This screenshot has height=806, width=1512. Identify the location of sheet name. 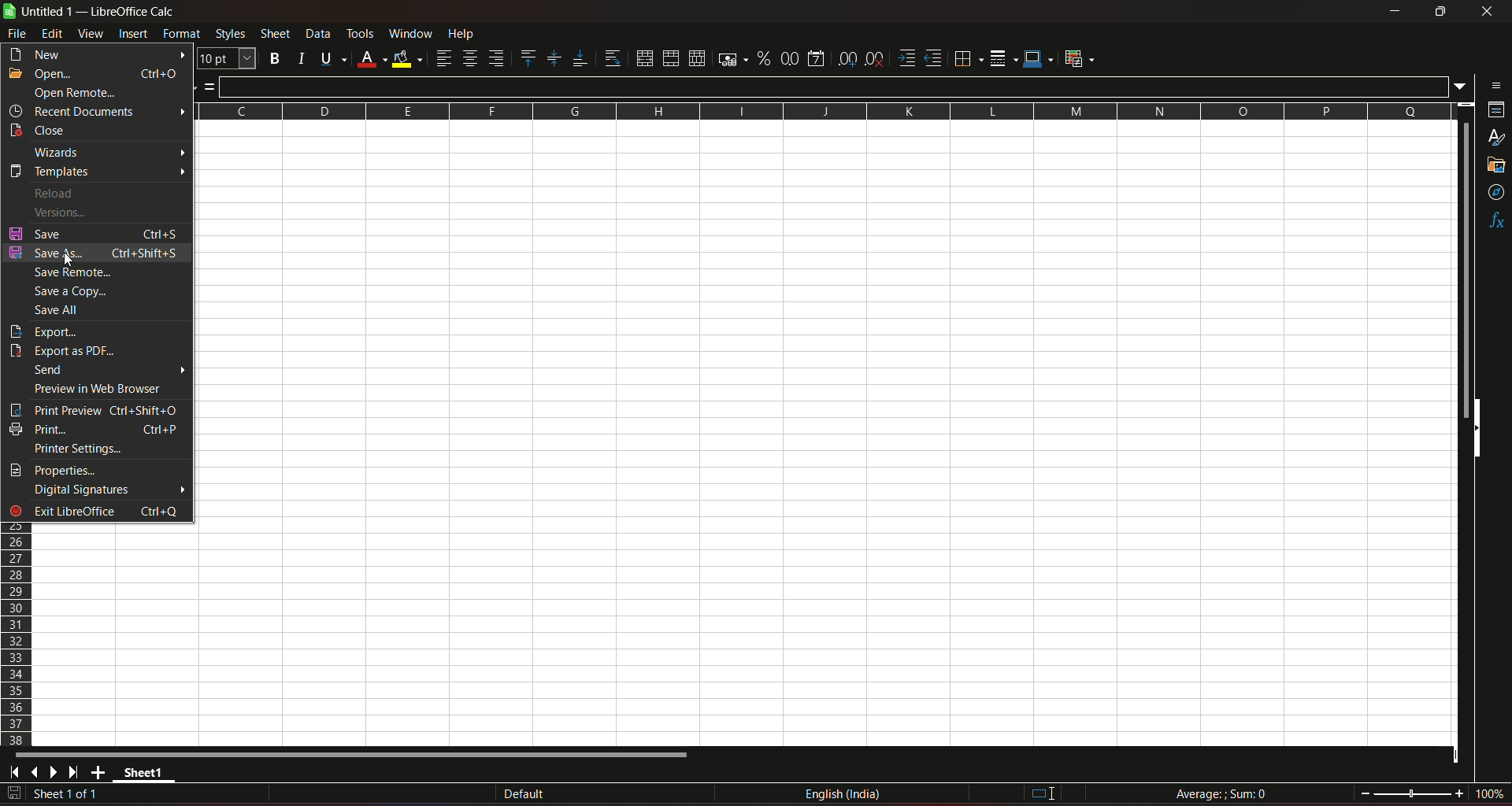
(146, 775).